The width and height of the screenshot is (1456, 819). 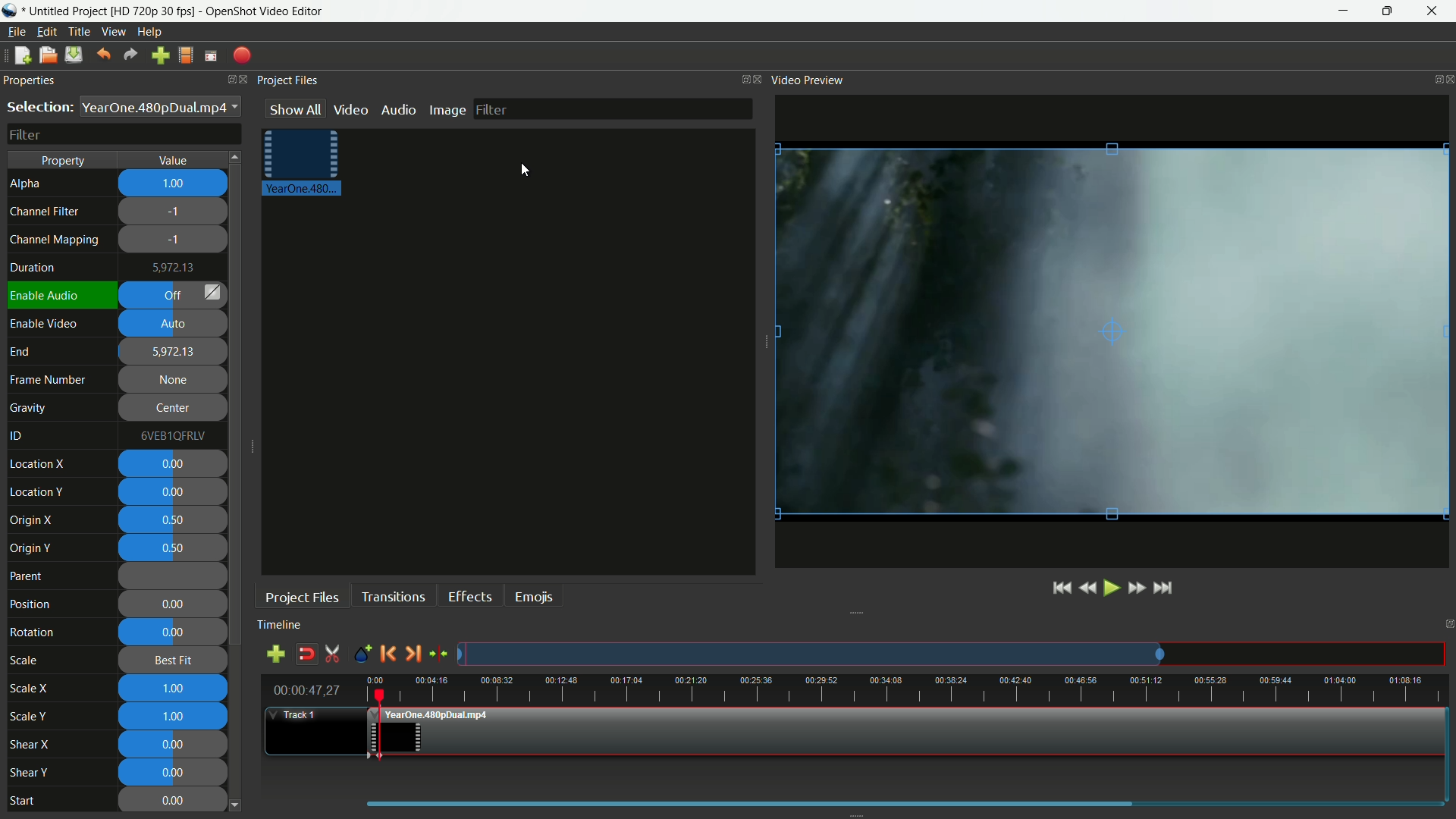 What do you see at coordinates (239, 79) in the screenshot?
I see `close properties` at bounding box center [239, 79].